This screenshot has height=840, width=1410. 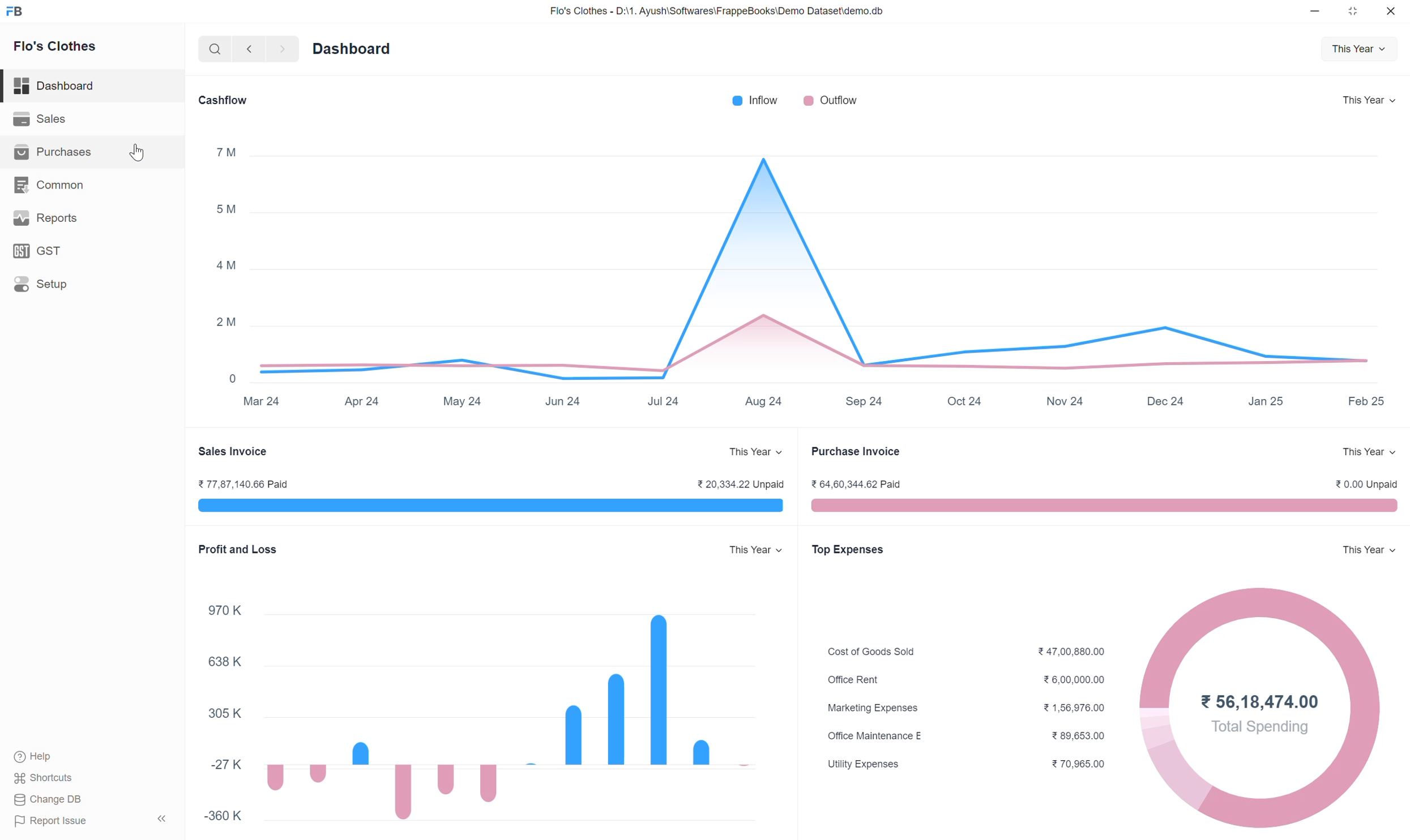 What do you see at coordinates (1315, 11) in the screenshot?
I see `Minimize` at bounding box center [1315, 11].